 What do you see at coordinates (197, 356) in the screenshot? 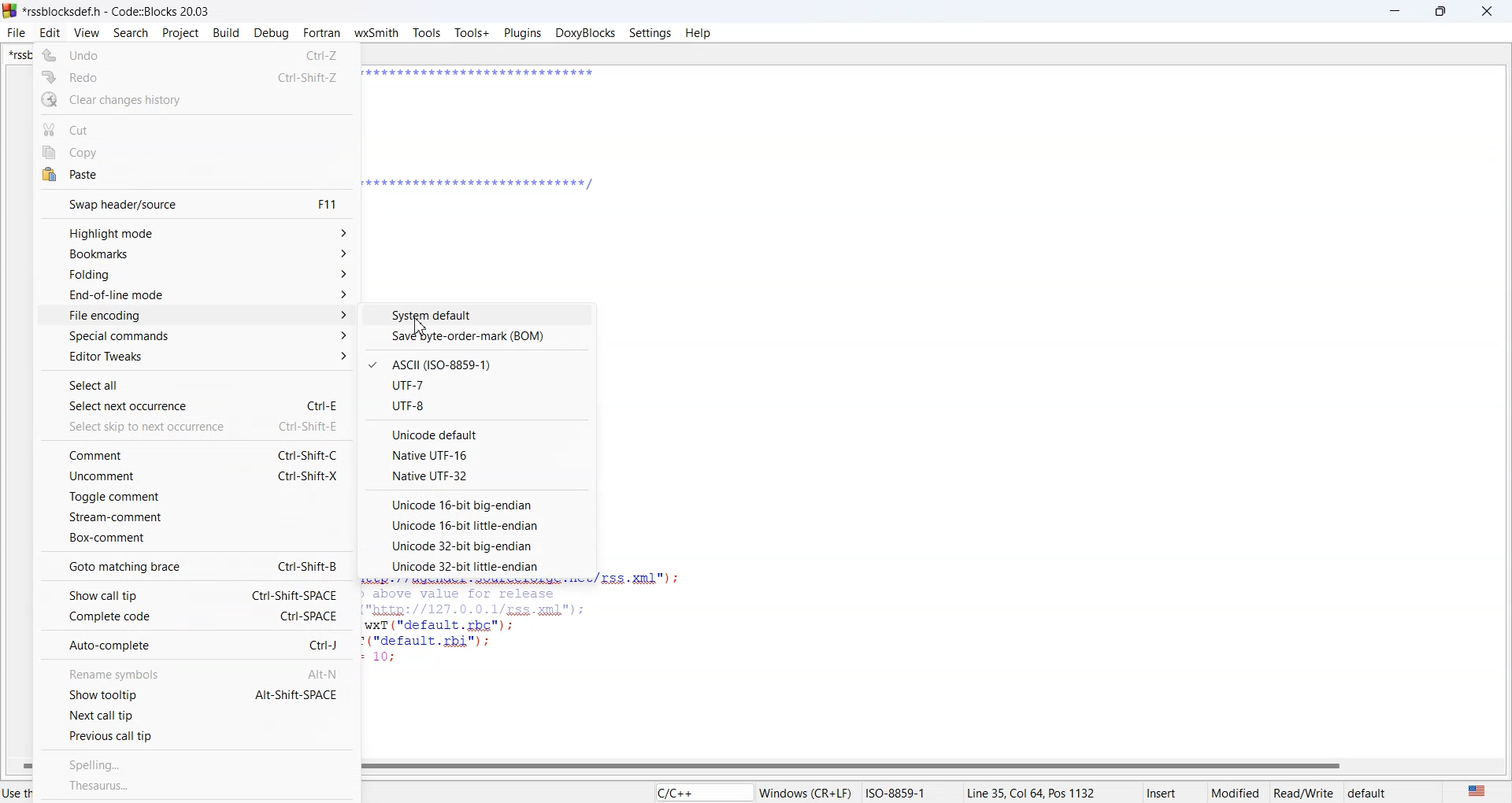
I see `Editor tweaks` at bounding box center [197, 356].